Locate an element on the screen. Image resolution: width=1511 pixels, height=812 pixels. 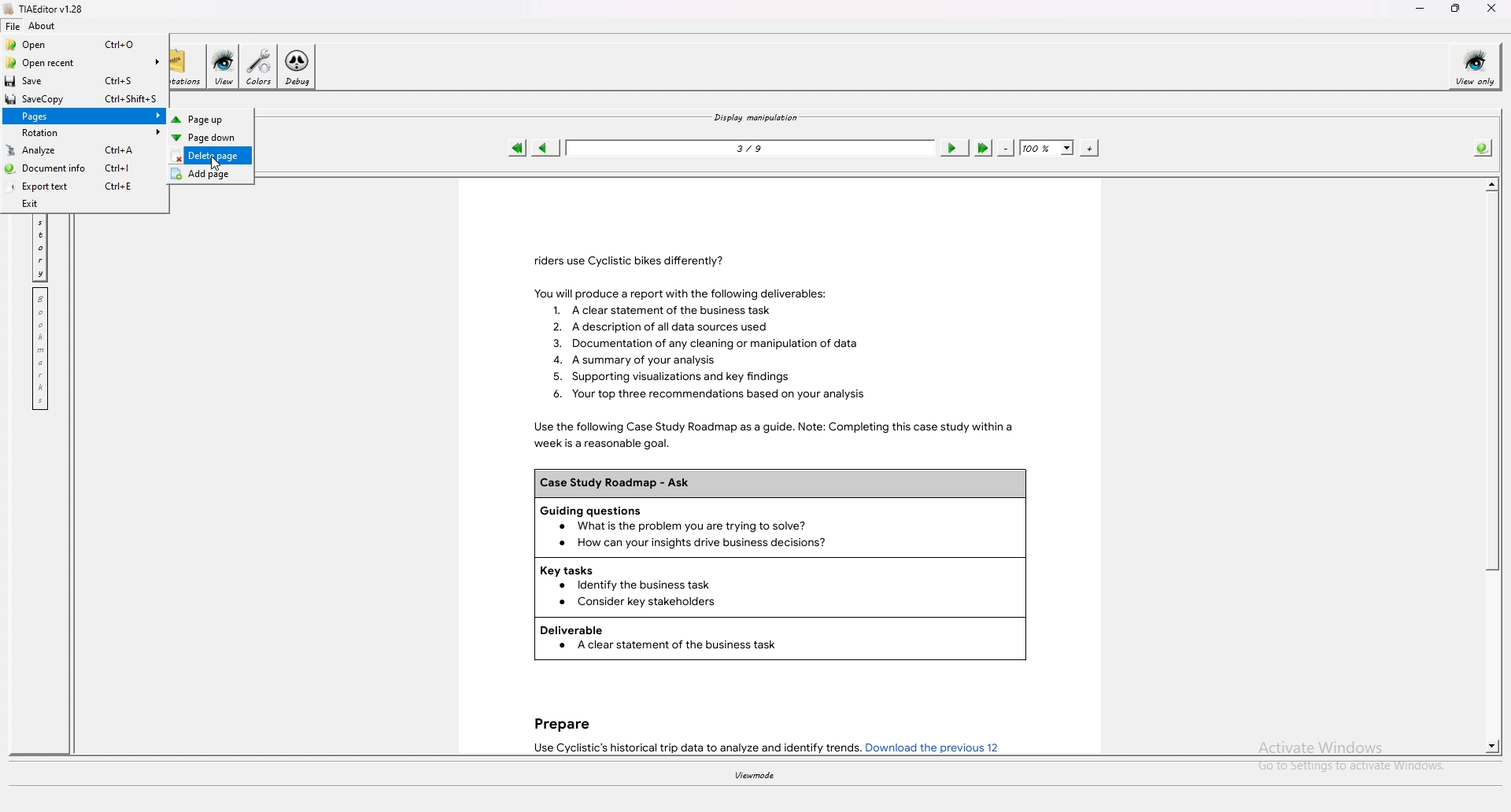
Page up is located at coordinates (205, 119).